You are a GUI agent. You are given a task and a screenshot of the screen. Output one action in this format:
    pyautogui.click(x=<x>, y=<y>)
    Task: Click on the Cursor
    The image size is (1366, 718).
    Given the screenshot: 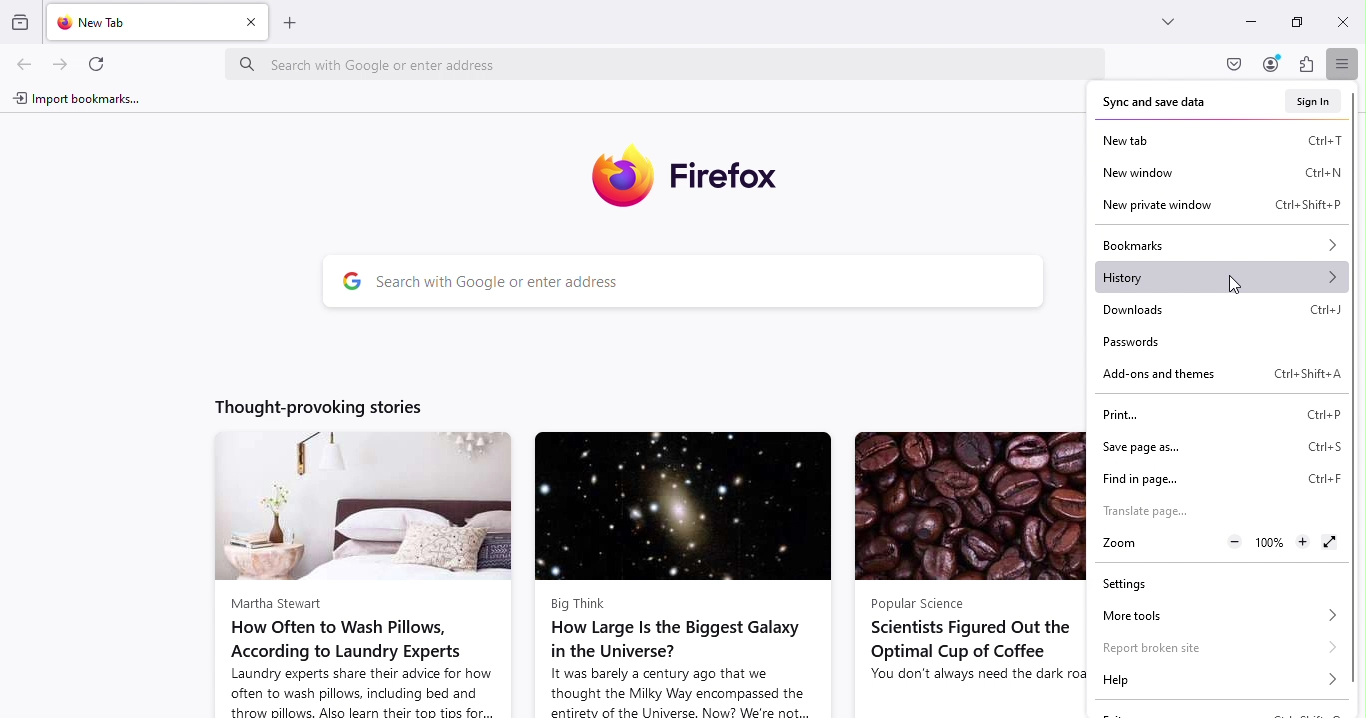 What is the action you would take?
    pyautogui.click(x=1238, y=284)
    